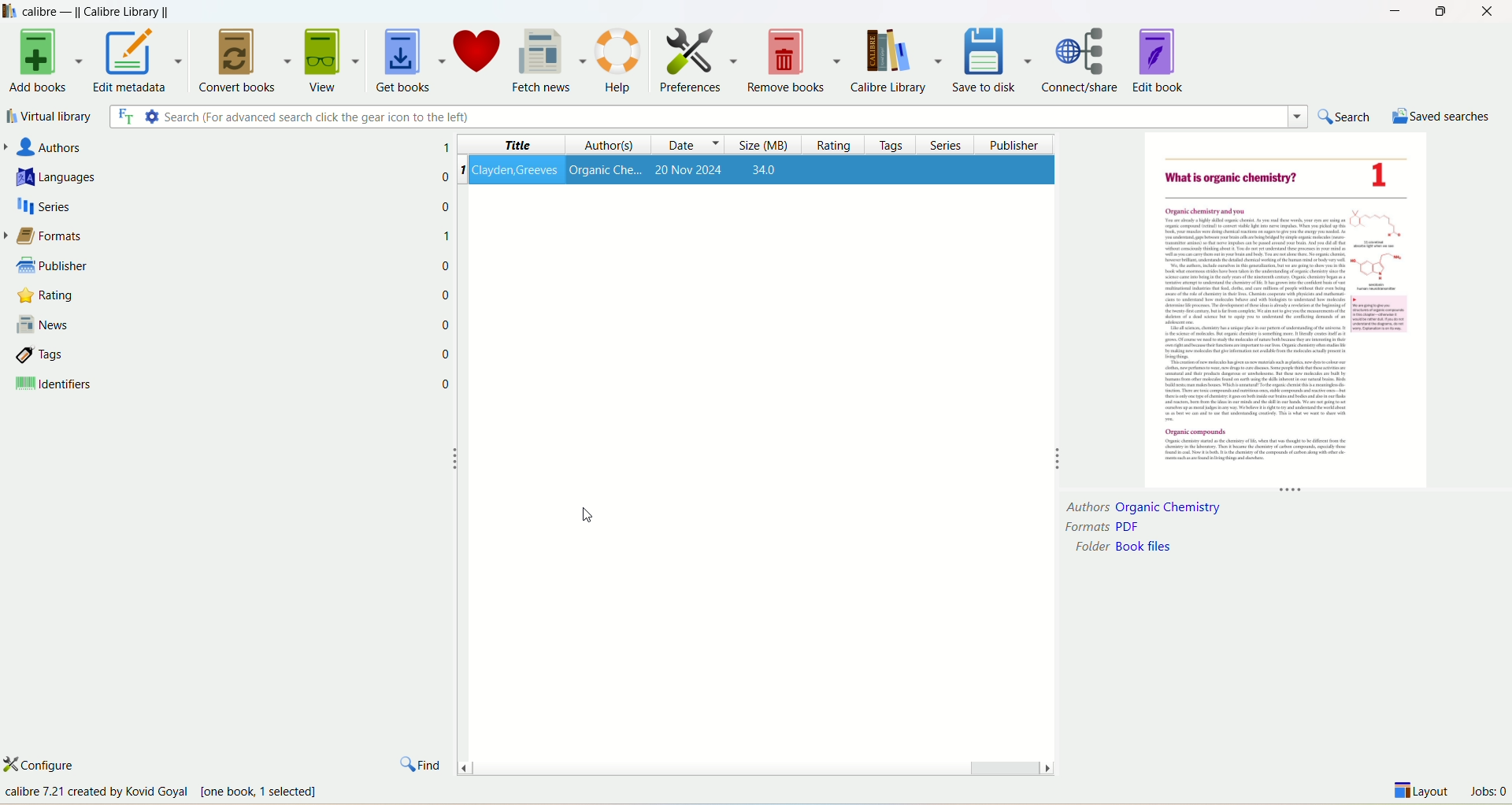  Describe the element at coordinates (243, 61) in the screenshot. I see `convert books` at that location.